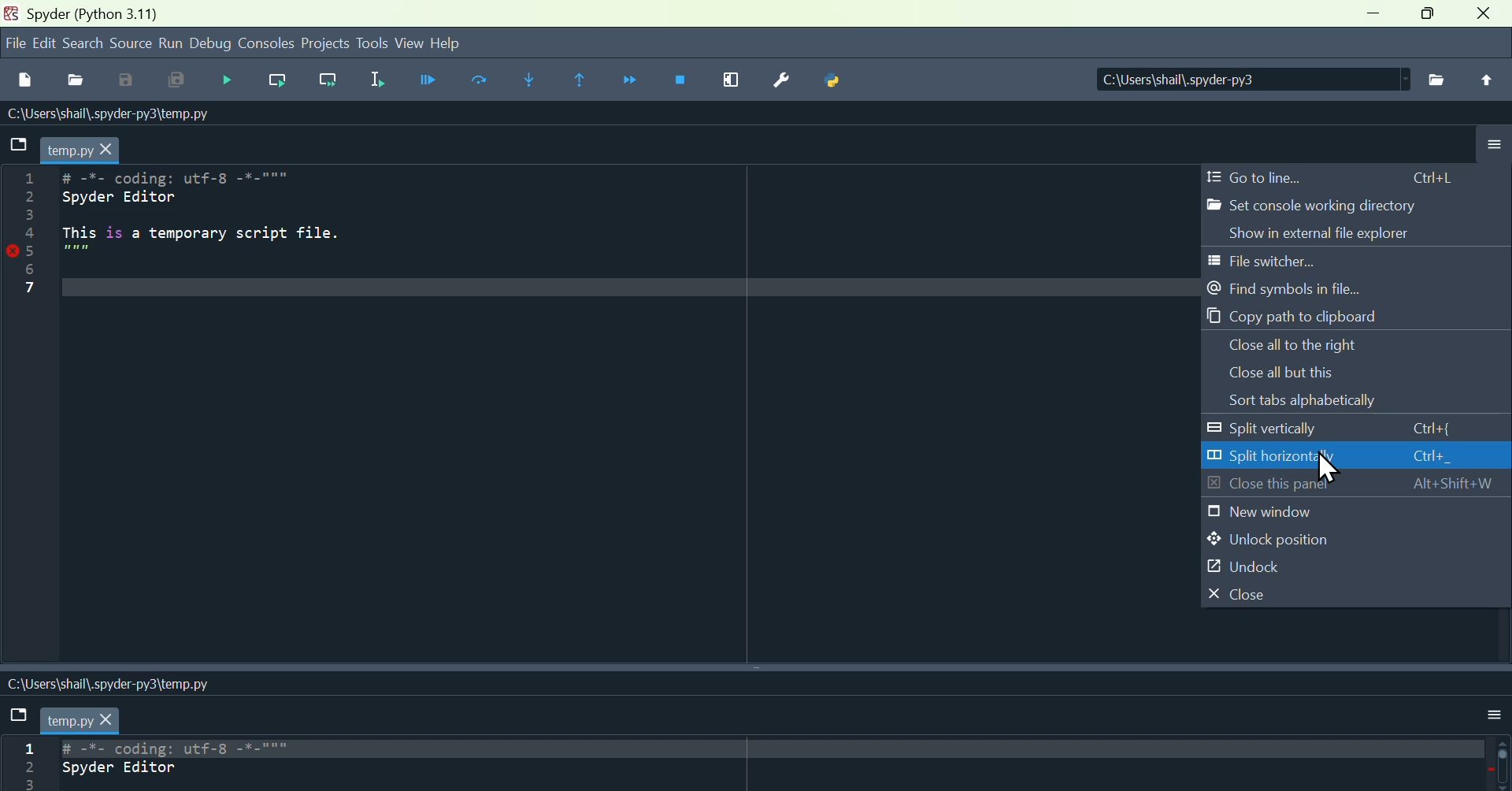 This screenshot has width=1512, height=791. What do you see at coordinates (1291, 317) in the screenshot?
I see `Copy path to clipboard` at bounding box center [1291, 317].